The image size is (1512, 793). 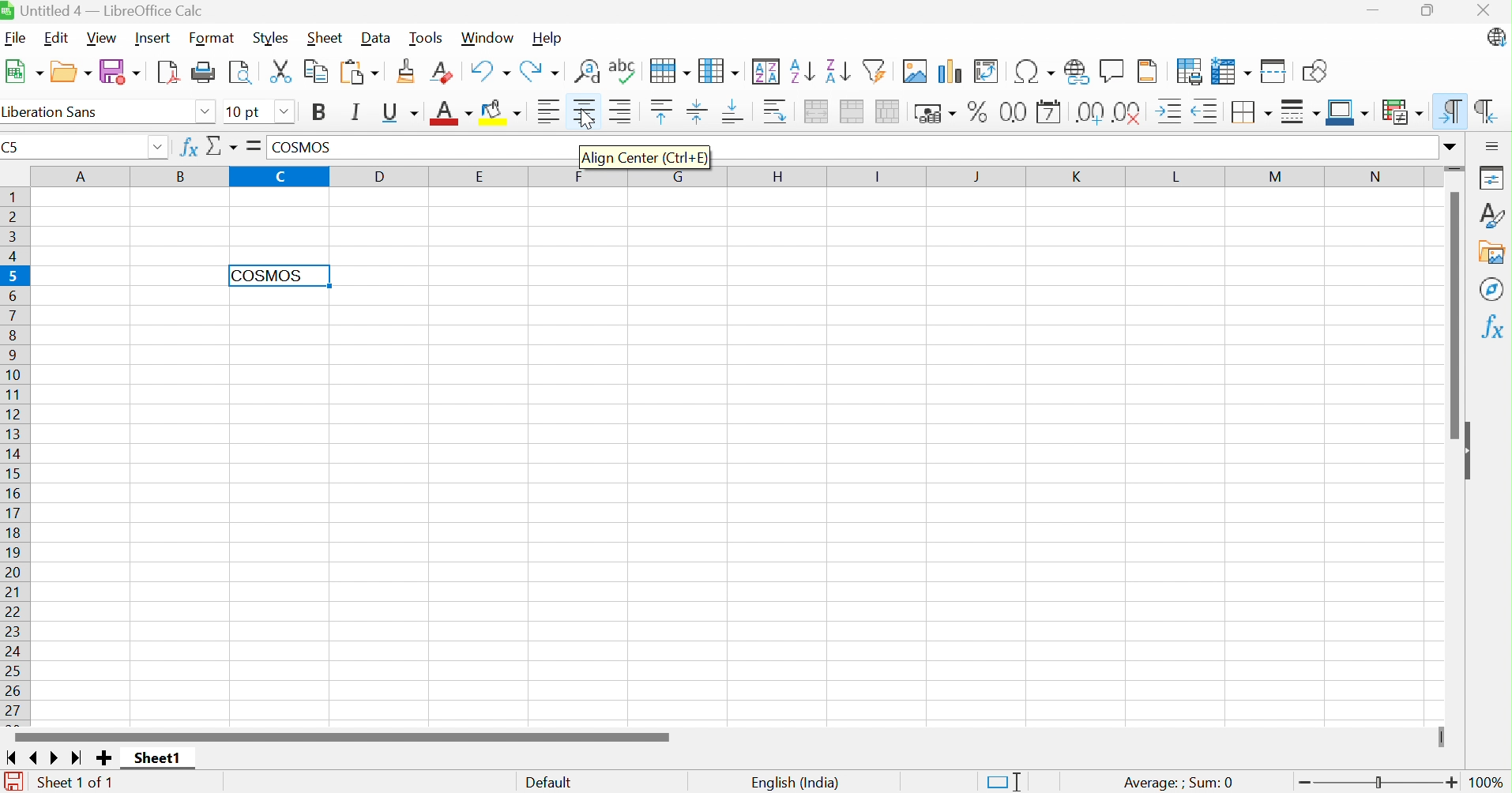 I want to click on Right-To-Left, so click(x=1487, y=109).